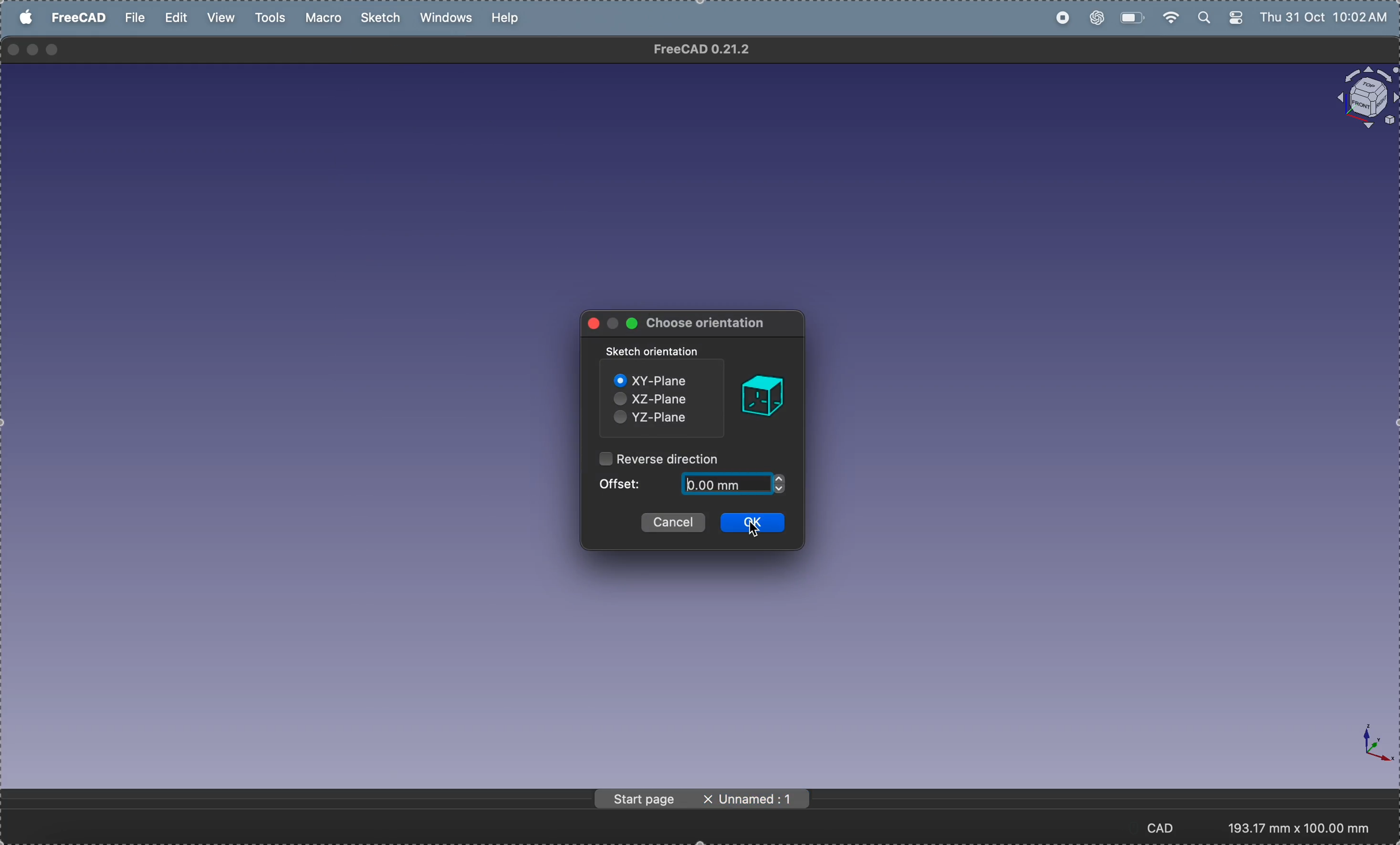  I want to click on close, so click(594, 323).